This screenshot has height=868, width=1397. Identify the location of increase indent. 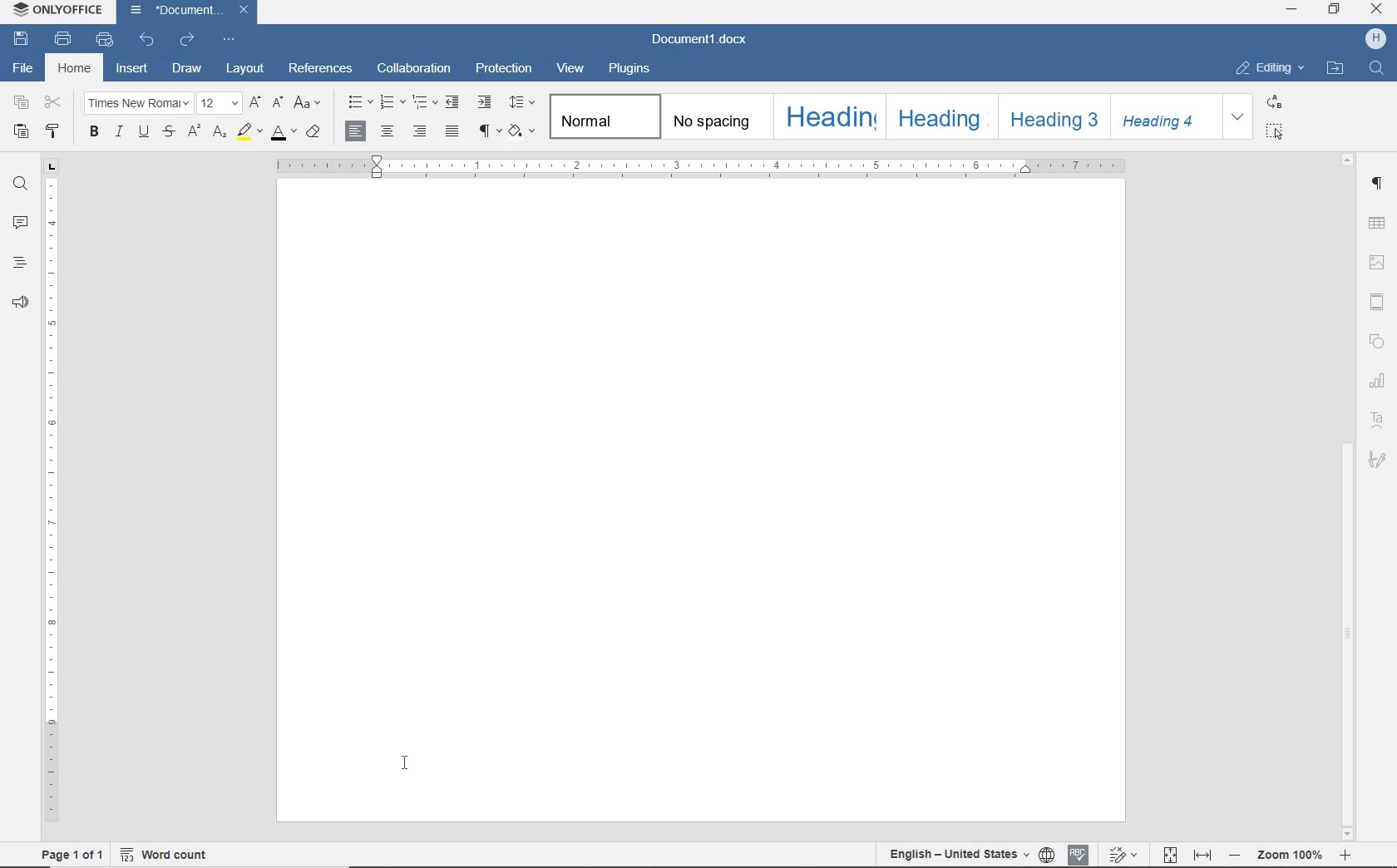
(484, 101).